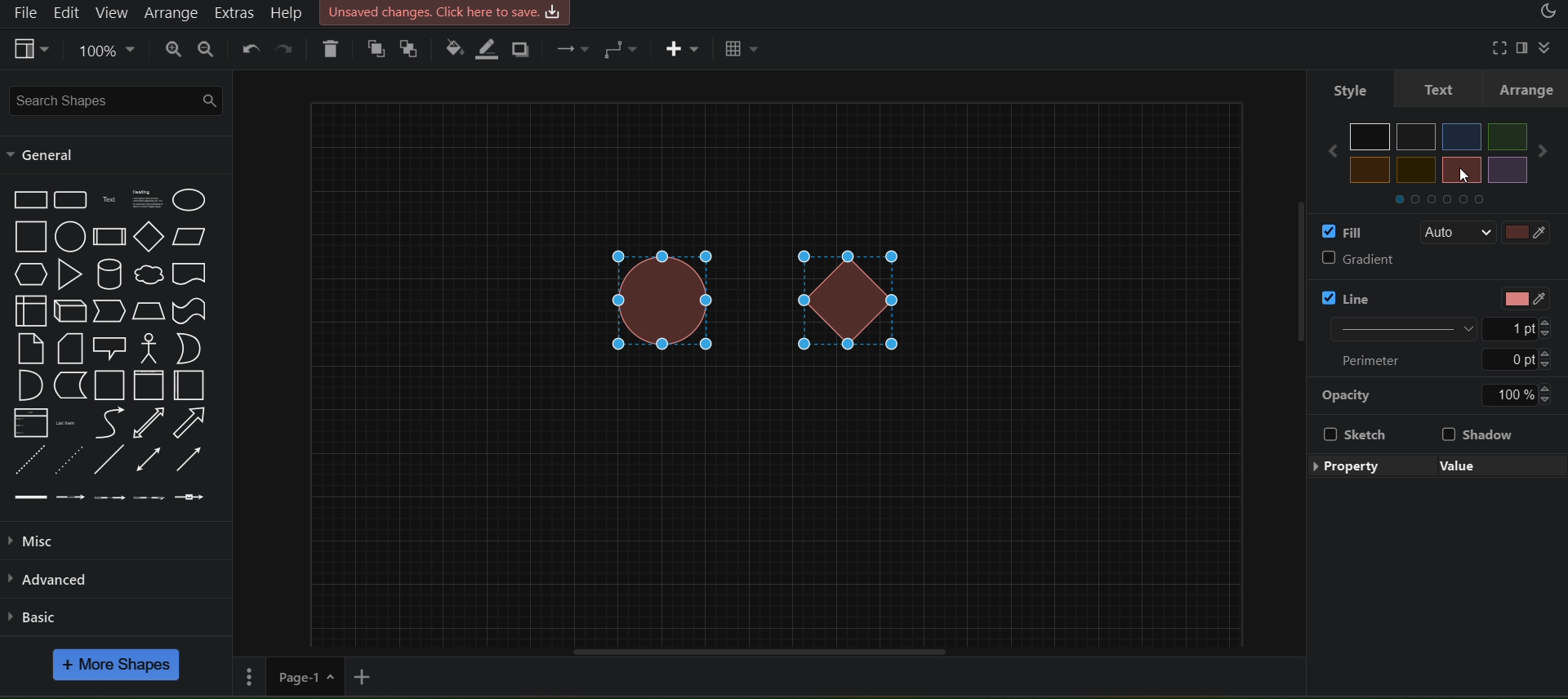 The width and height of the screenshot is (1568, 699). What do you see at coordinates (1365, 438) in the screenshot?
I see `Sketch` at bounding box center [1365, 438].